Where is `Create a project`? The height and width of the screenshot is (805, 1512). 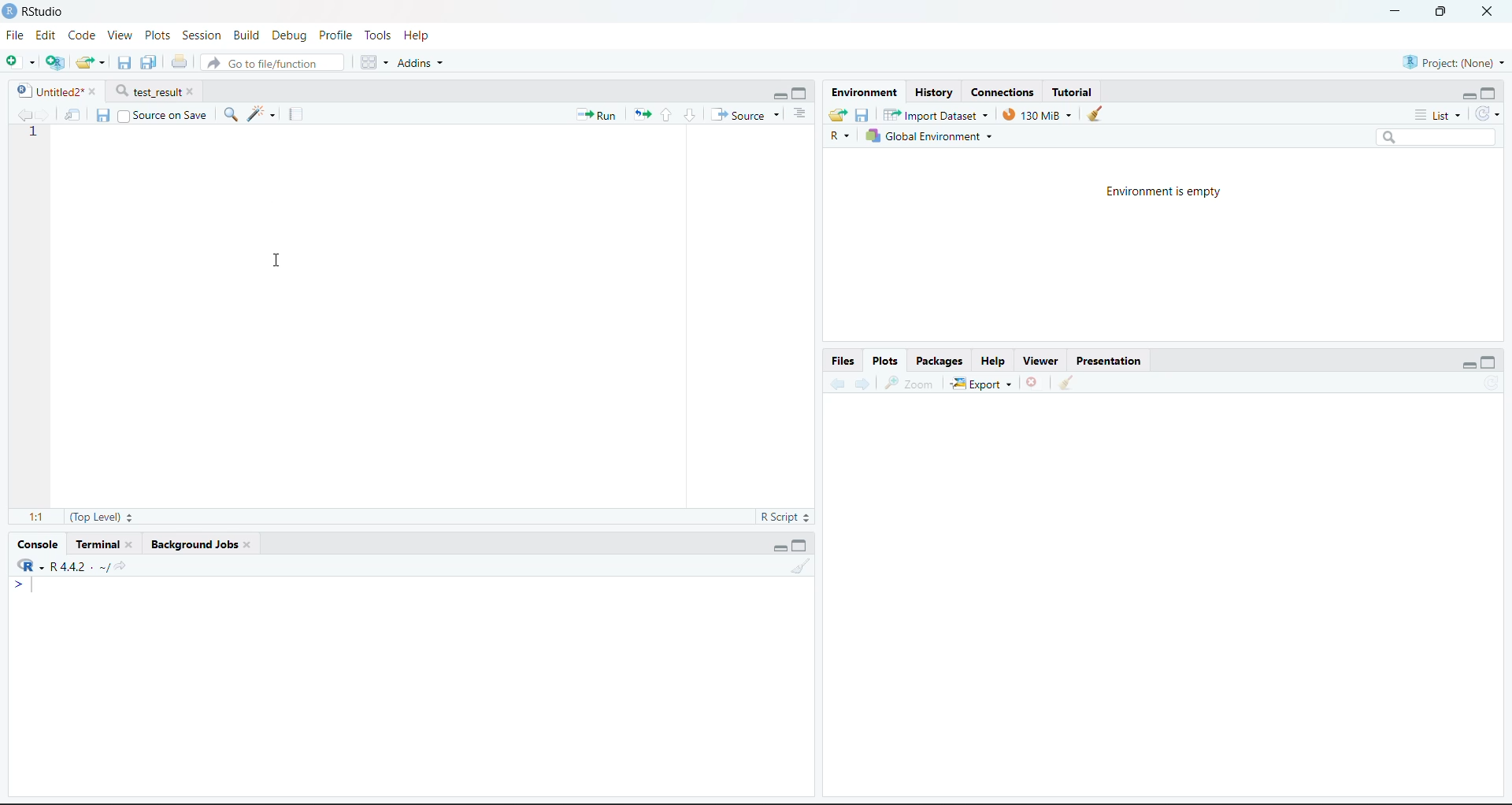
Create a project is located at coordinates (54, 62).